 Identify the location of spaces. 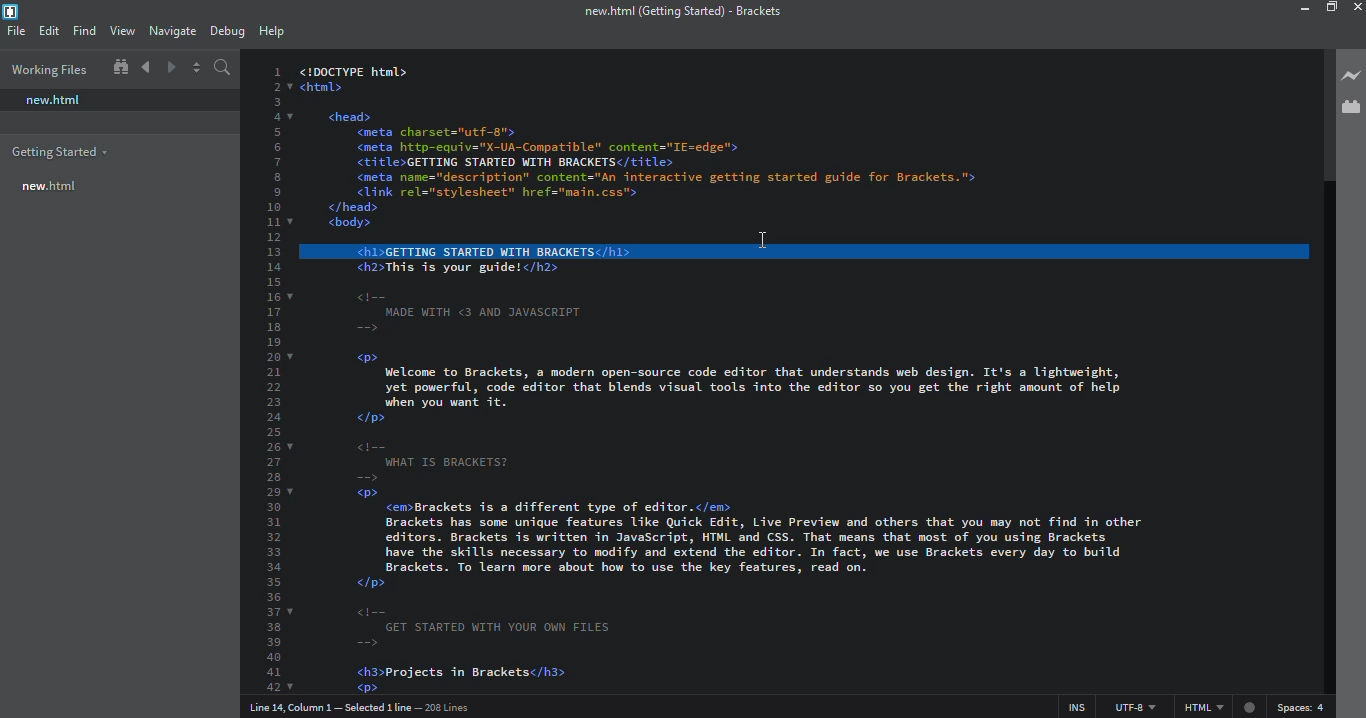
(1302, 707).